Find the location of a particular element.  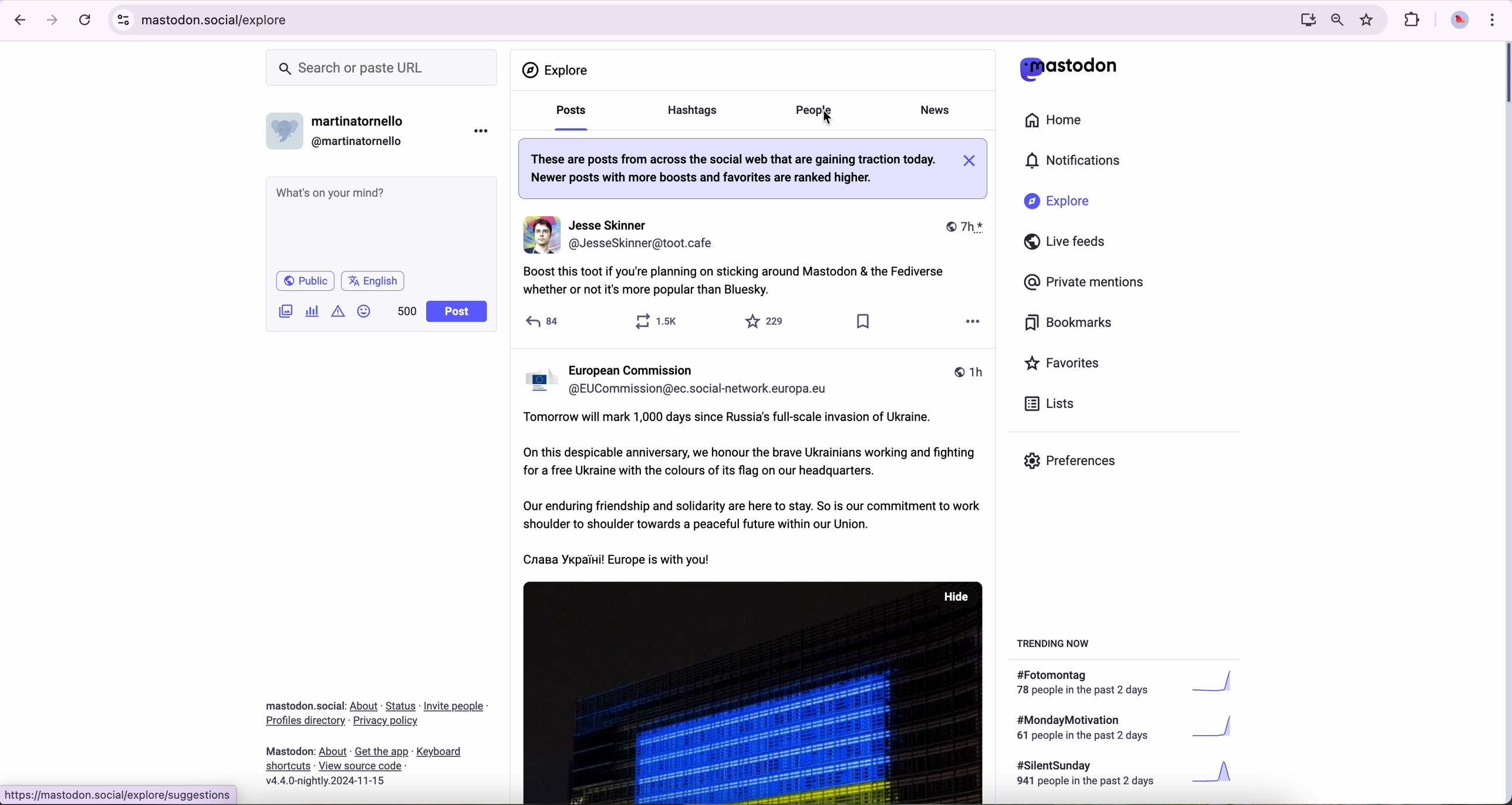

explore section is located at coordinates (558, 70).